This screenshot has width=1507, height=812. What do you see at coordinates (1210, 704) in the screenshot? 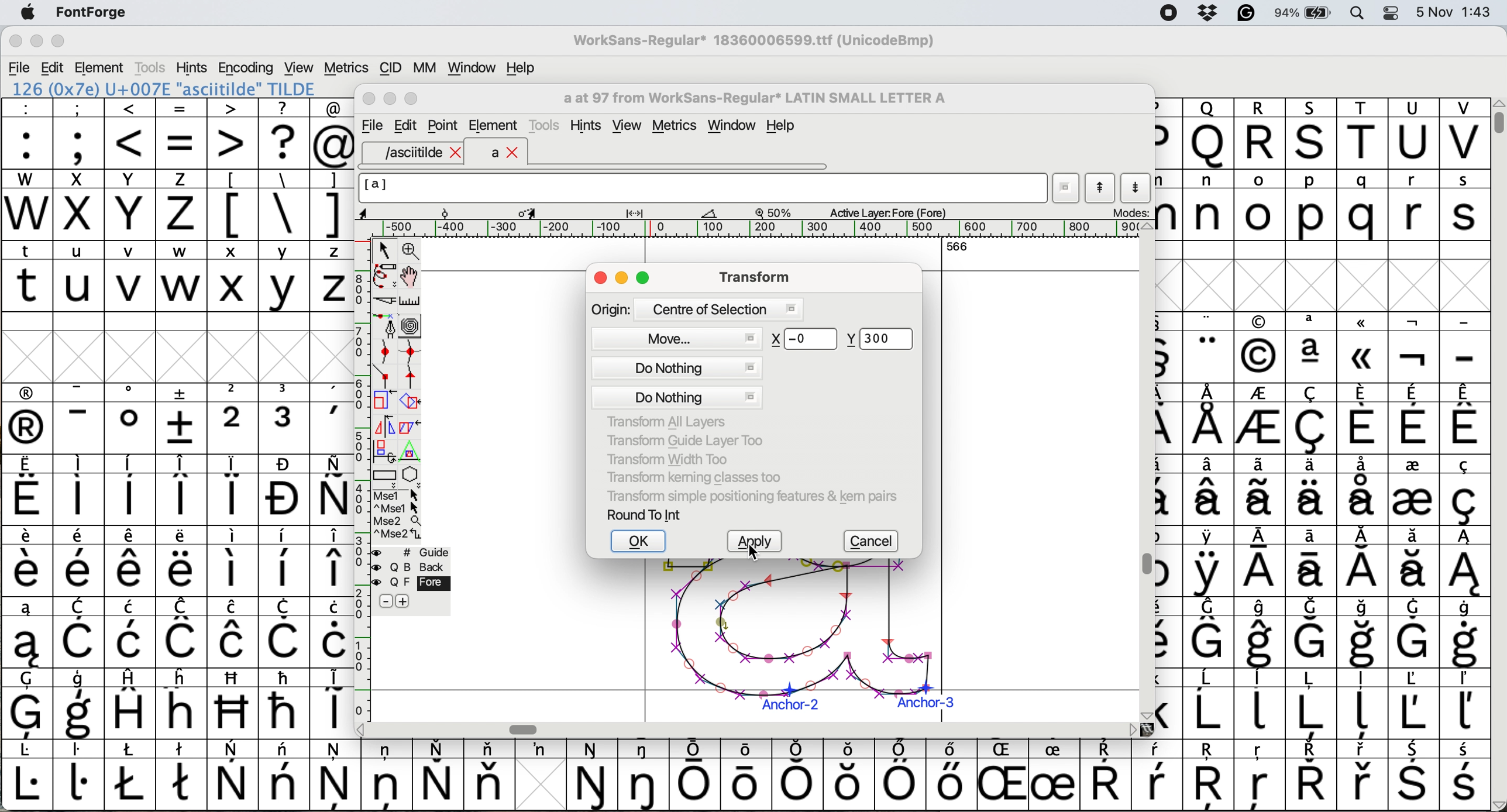
I see `symbol` at bounding box center [1210, 704].